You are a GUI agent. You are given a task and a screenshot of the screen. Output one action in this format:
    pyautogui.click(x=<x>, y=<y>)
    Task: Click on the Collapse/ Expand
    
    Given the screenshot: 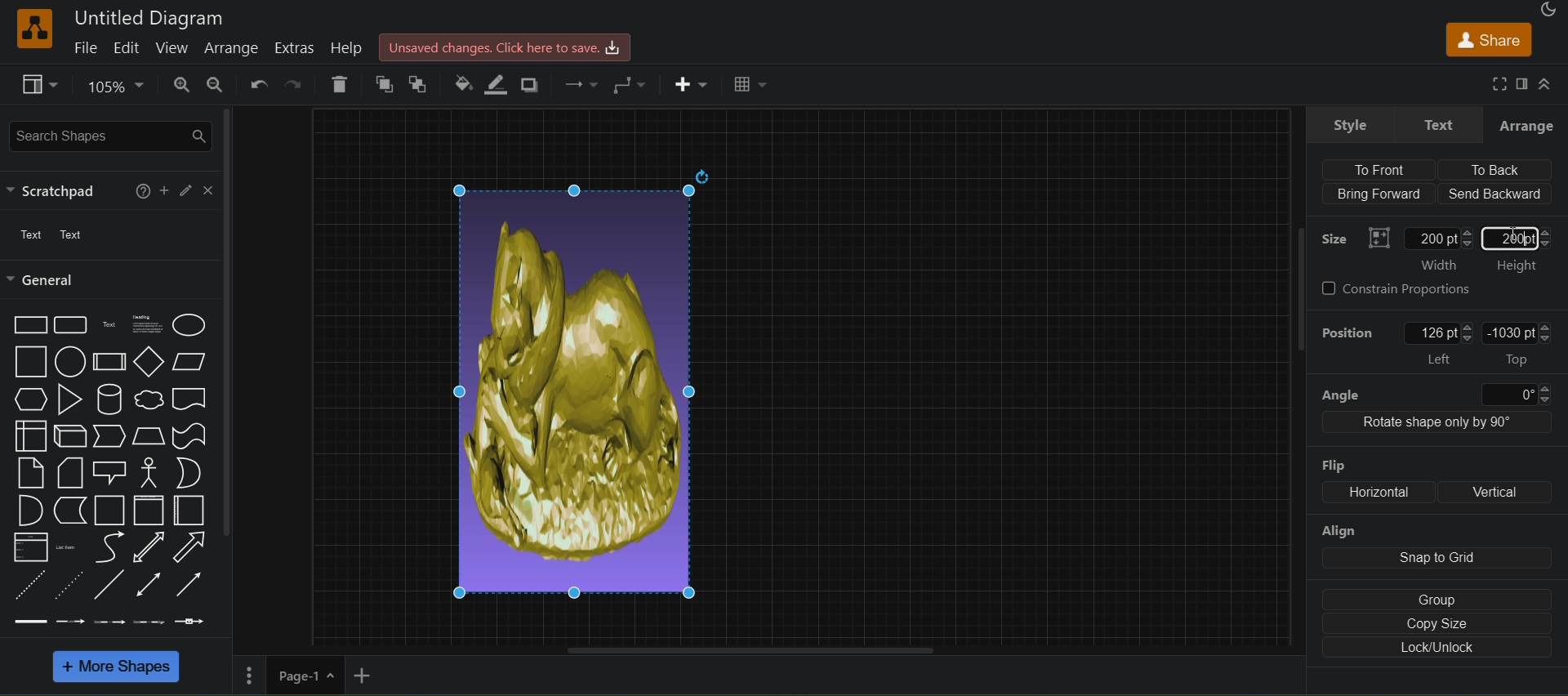 What is the action you would take?
    pyautogui.click(x=1546, y=86)
    